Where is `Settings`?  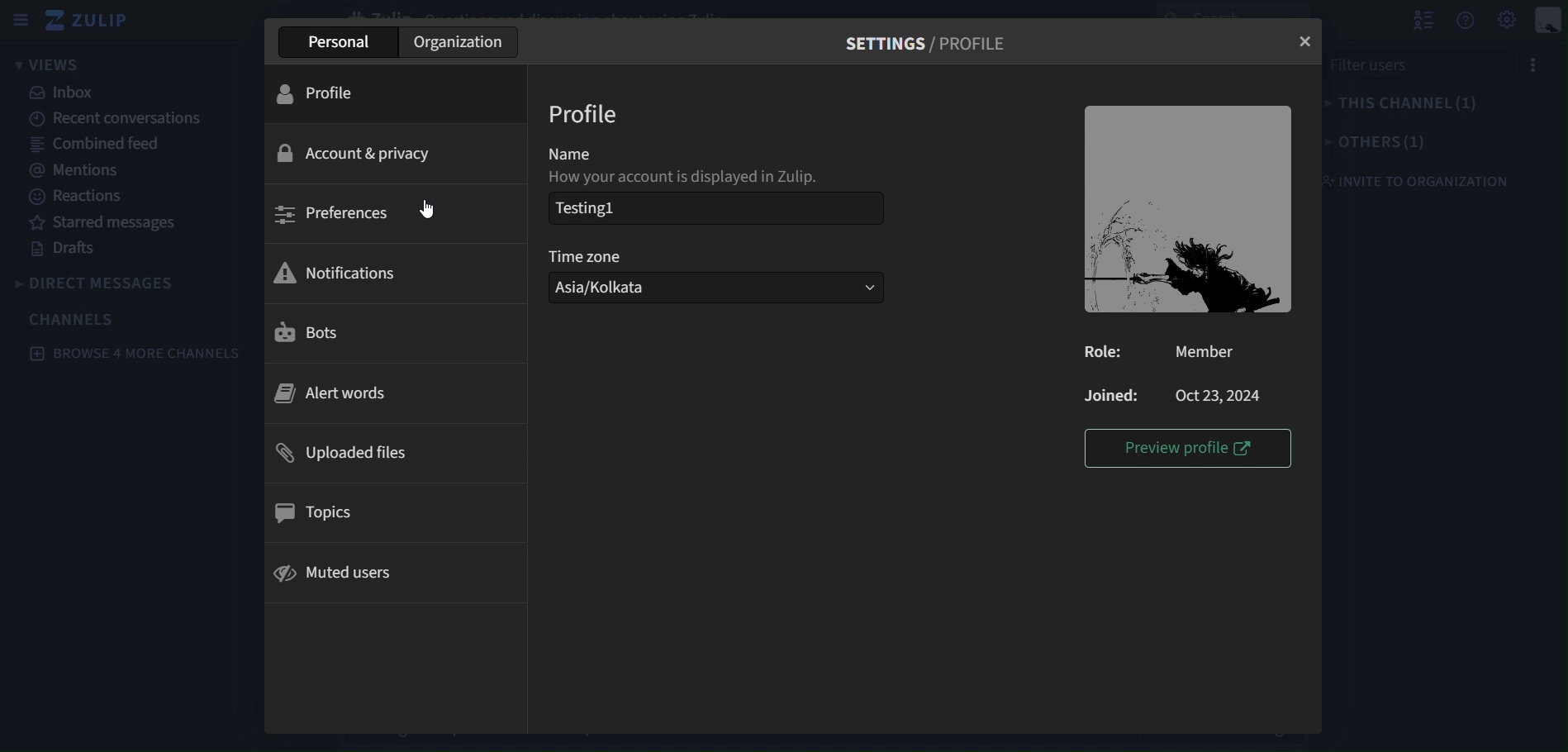 Settings is located at coordinates (1509, 20).